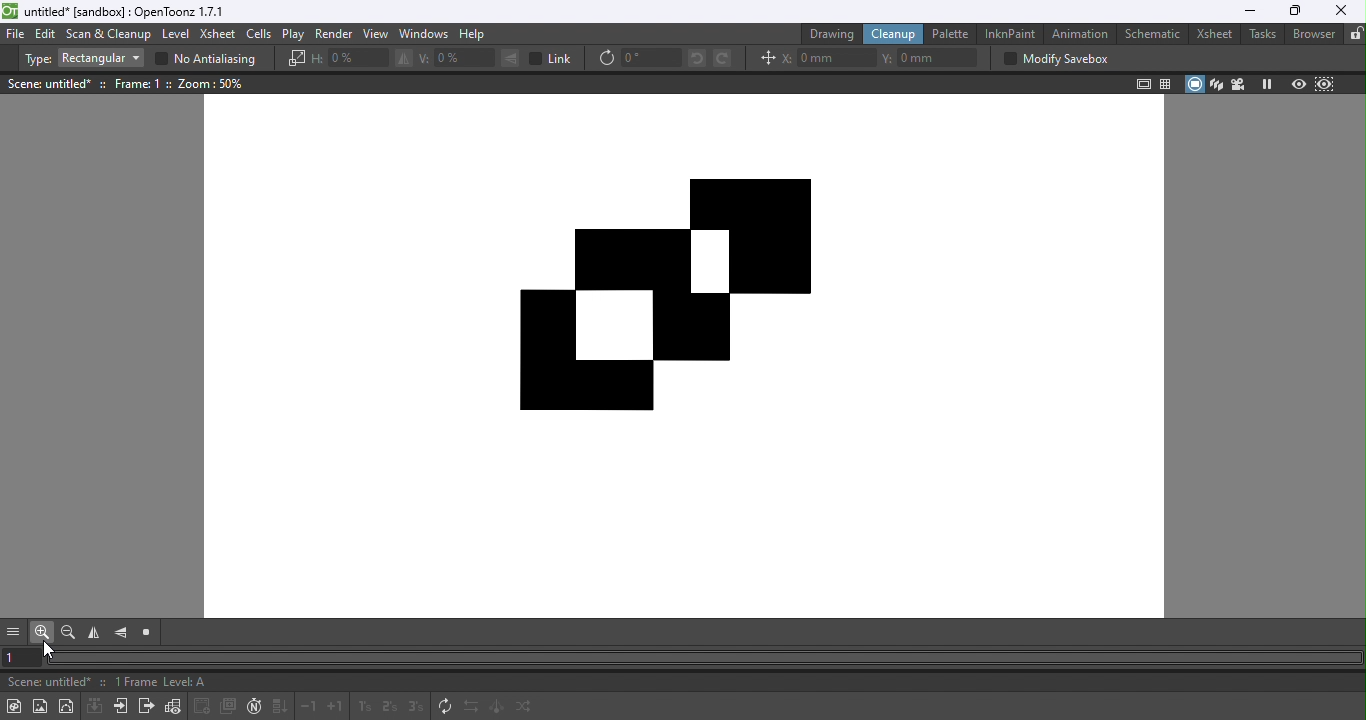  Describe the element at coordinates (292, 35) in the screenshot. I see `Play` at that location.